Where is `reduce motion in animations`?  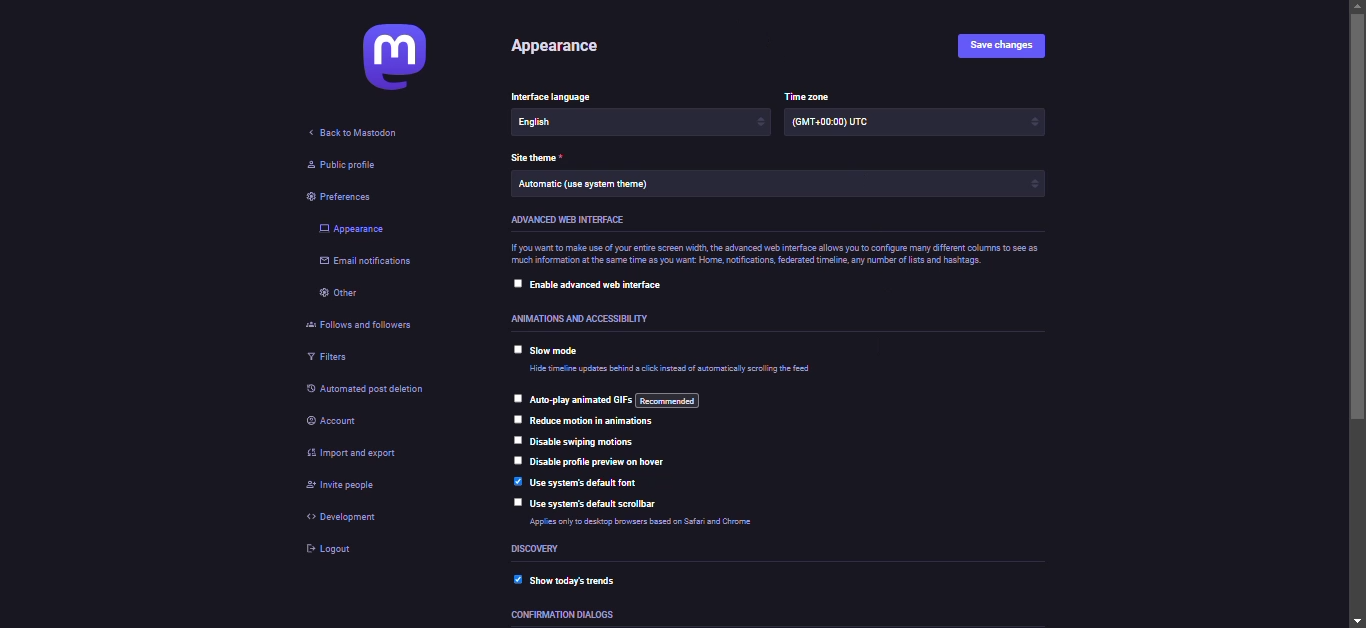 reduce motion in animations is located at coordinates (594, 422).